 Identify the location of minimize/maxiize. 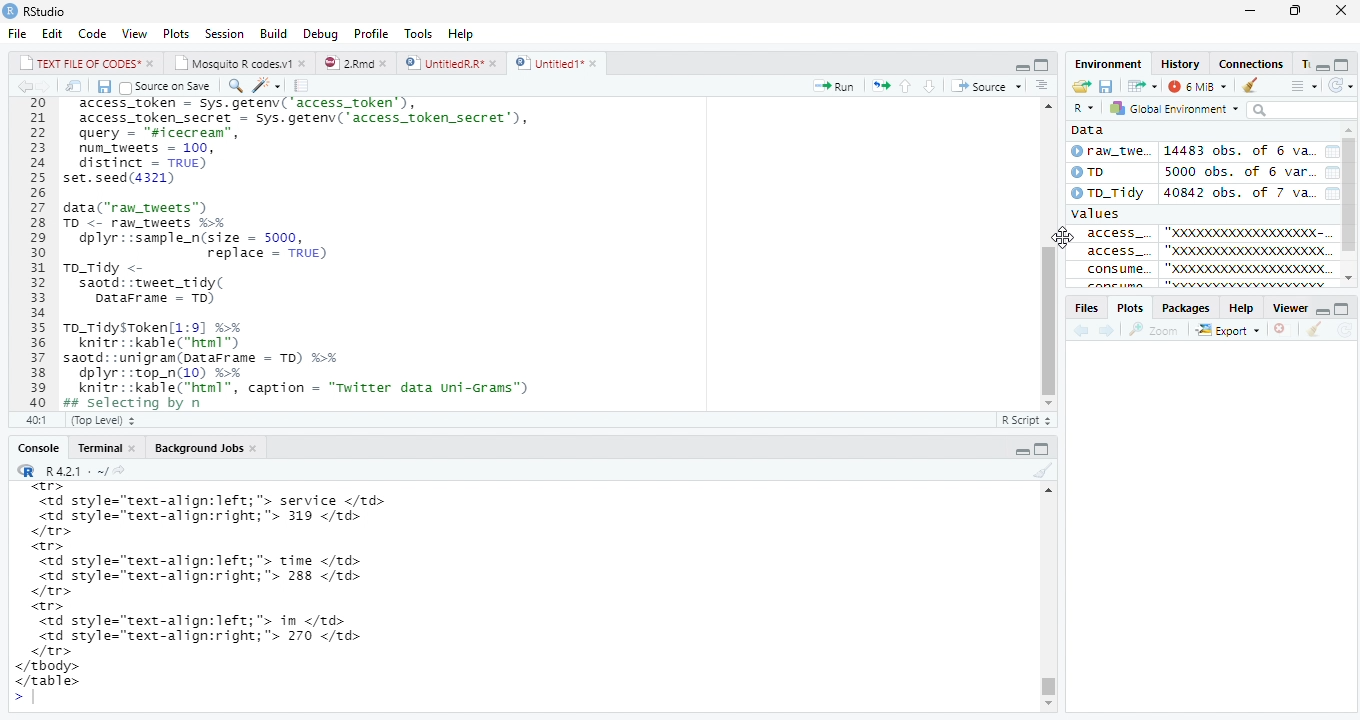
(1034, 447).